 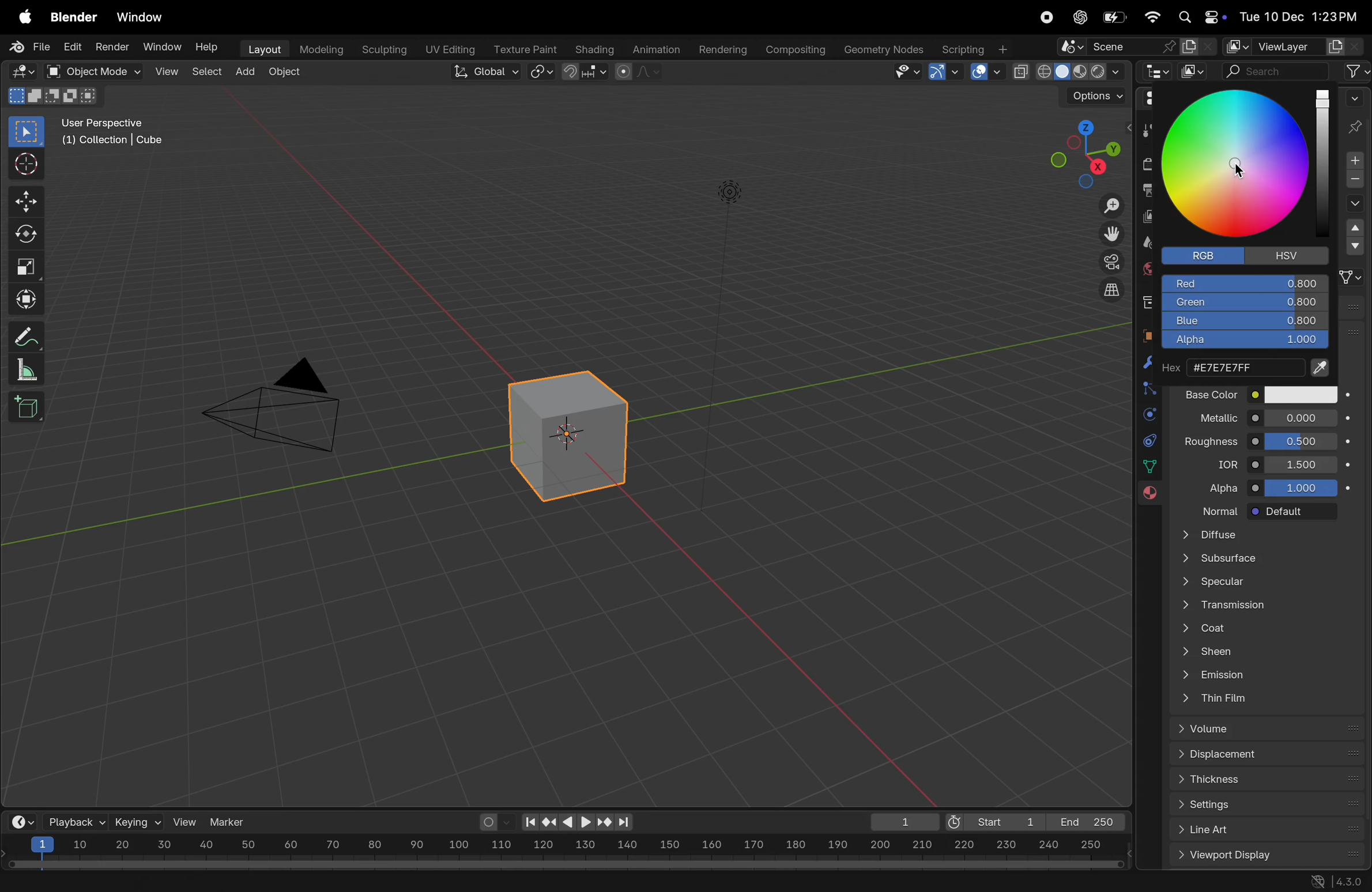 I want to click on marker, so click(x=232, y=821).